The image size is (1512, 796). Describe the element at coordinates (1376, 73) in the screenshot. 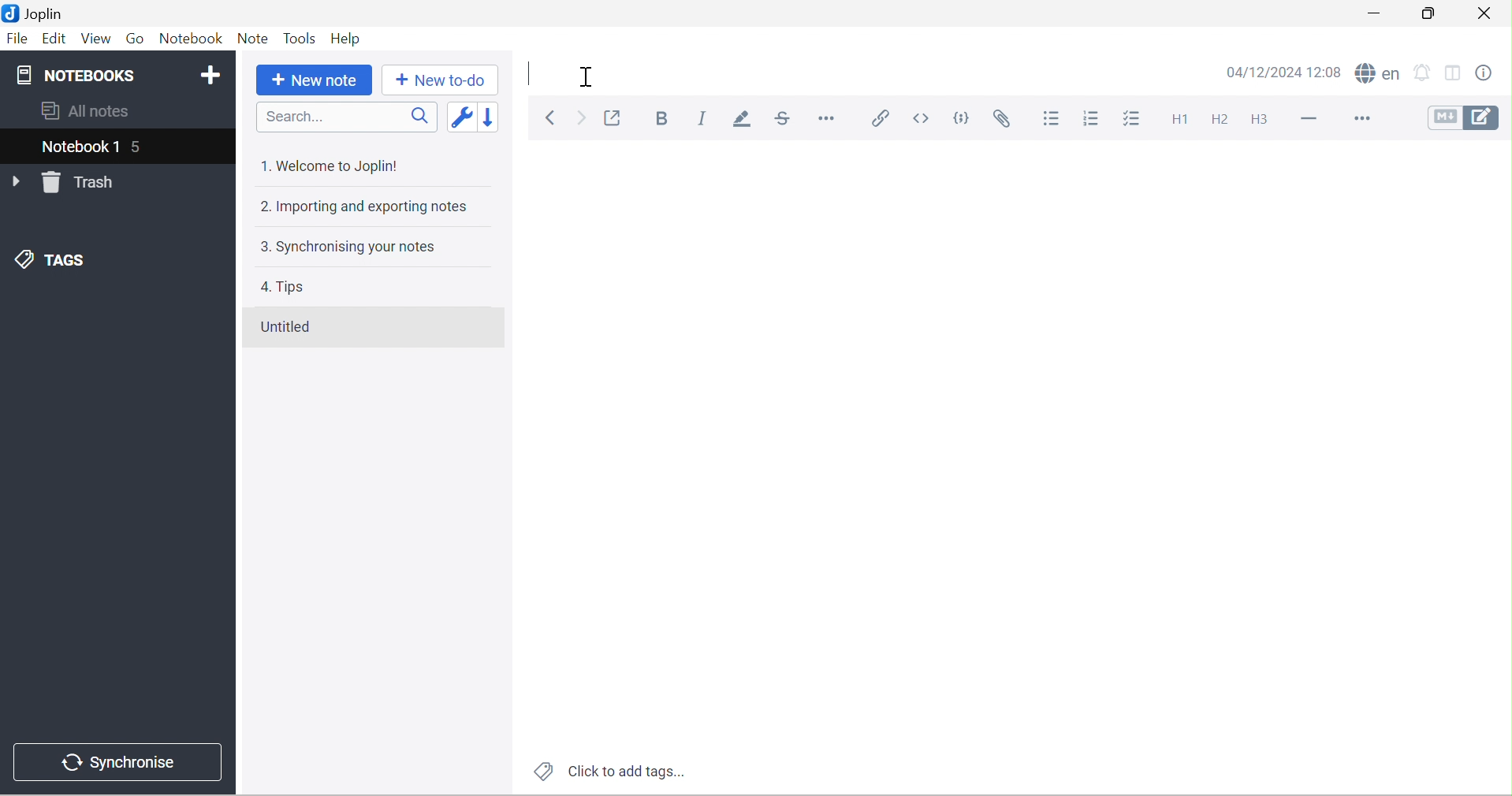

I see `spell checker` at that location.